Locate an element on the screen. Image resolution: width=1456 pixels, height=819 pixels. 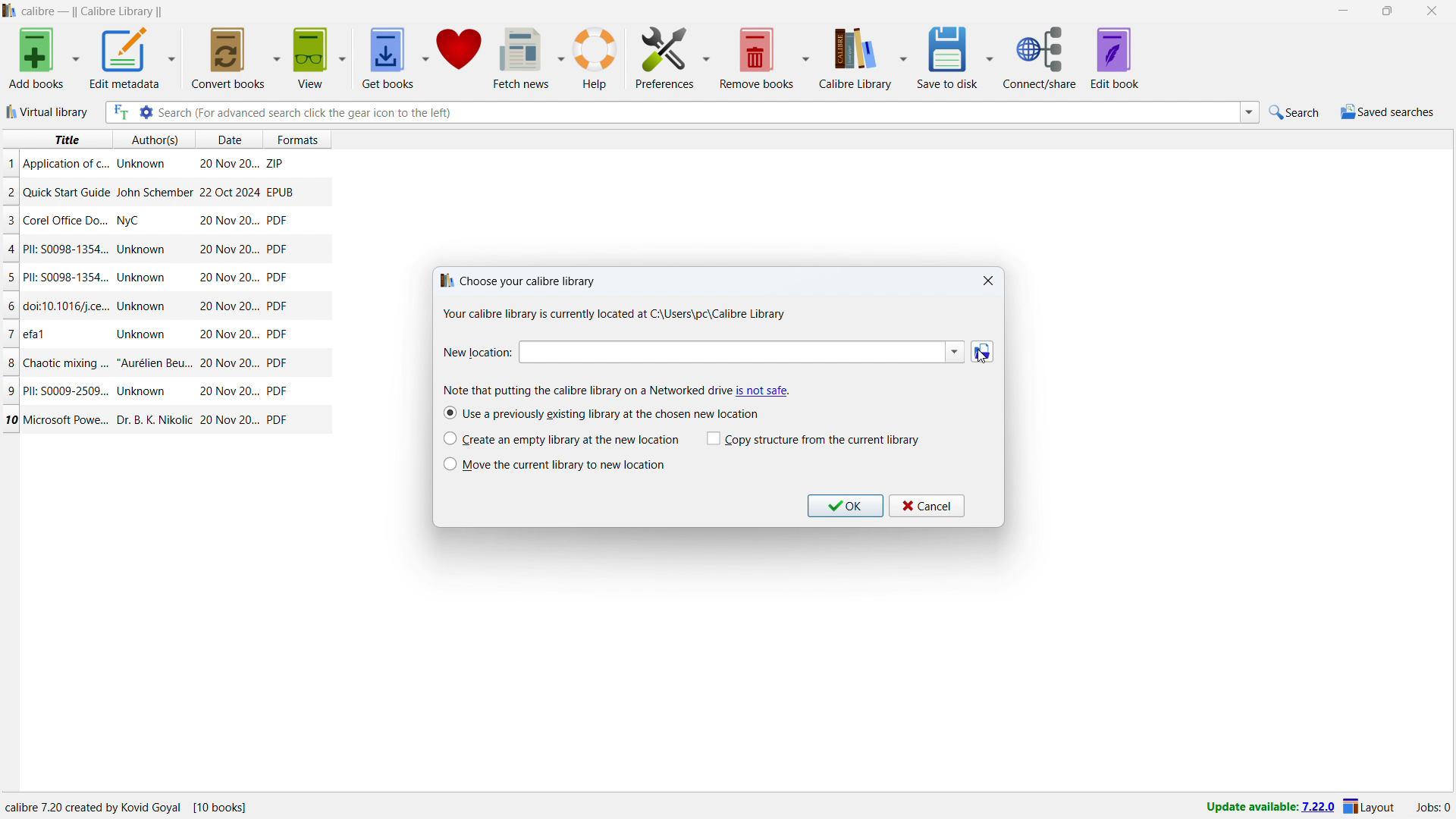
donate to calibre is located at coordinates (460, 57).